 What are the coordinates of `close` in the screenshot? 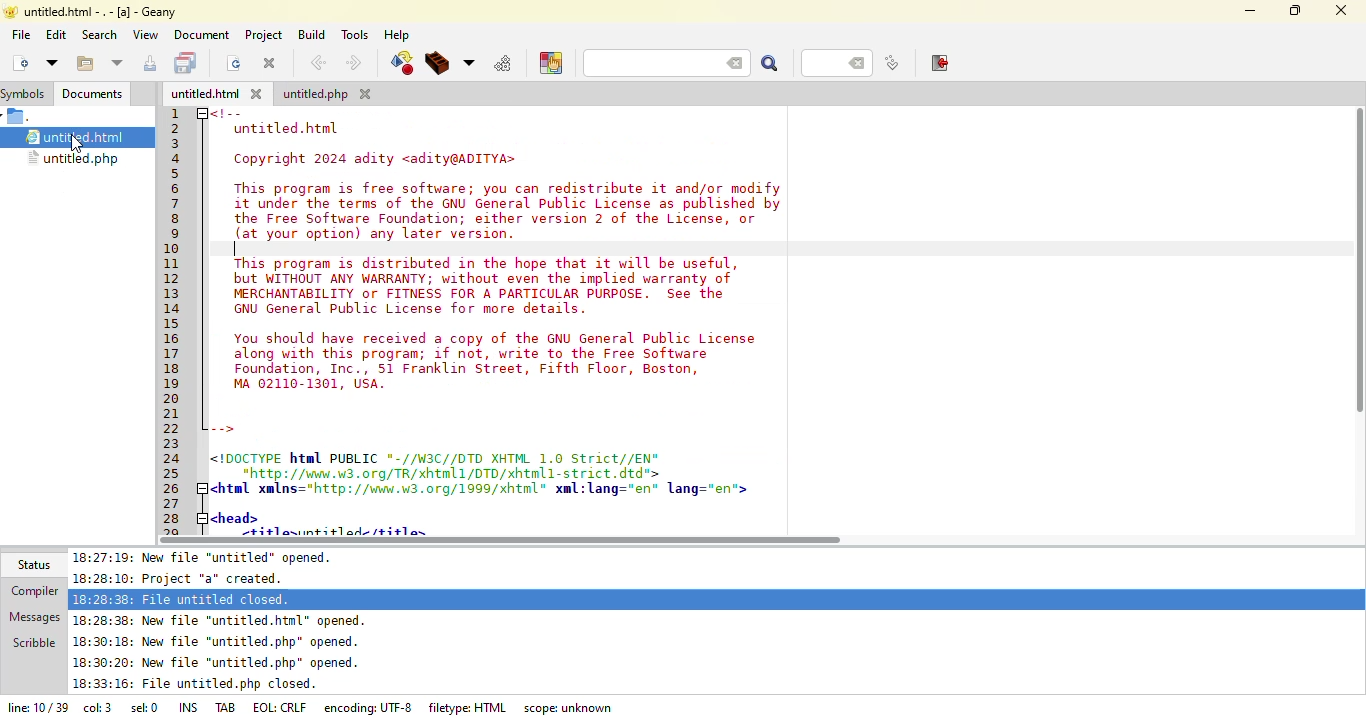 It's located at (1341, 11).